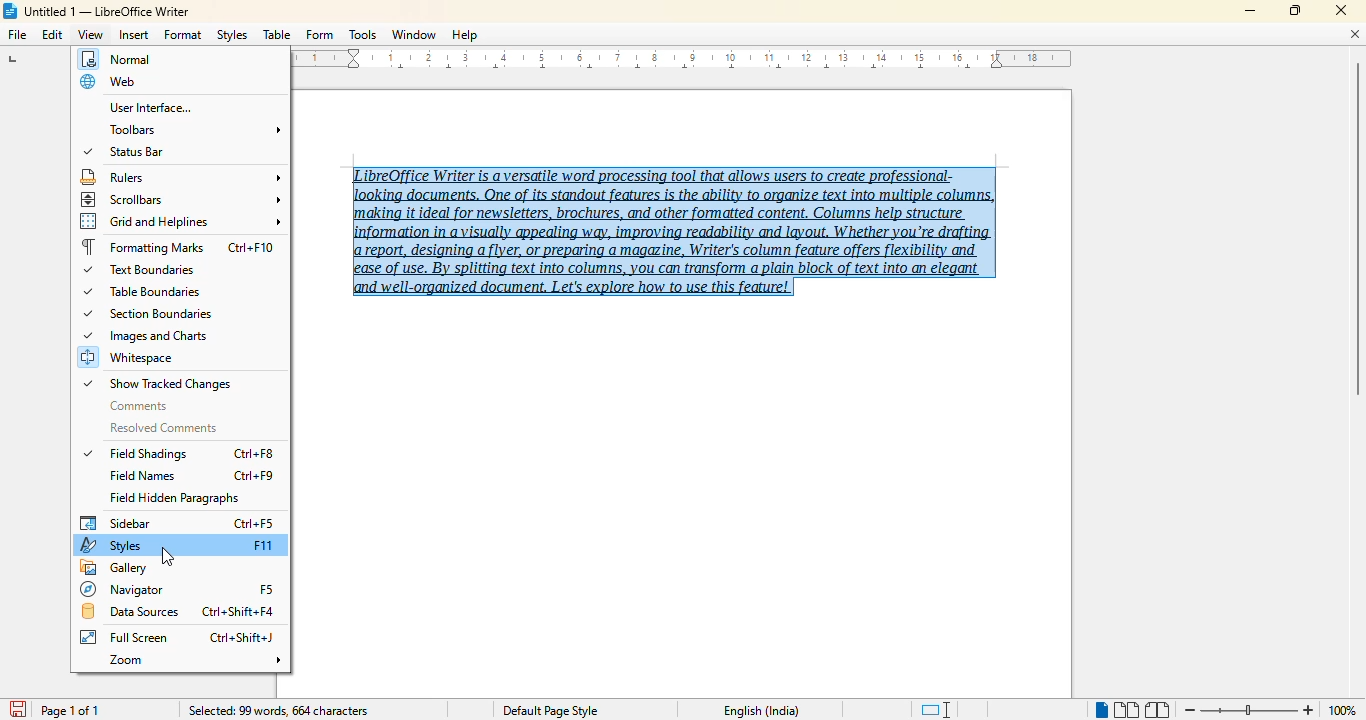  I want to click on images and charts, so click(147, 336).